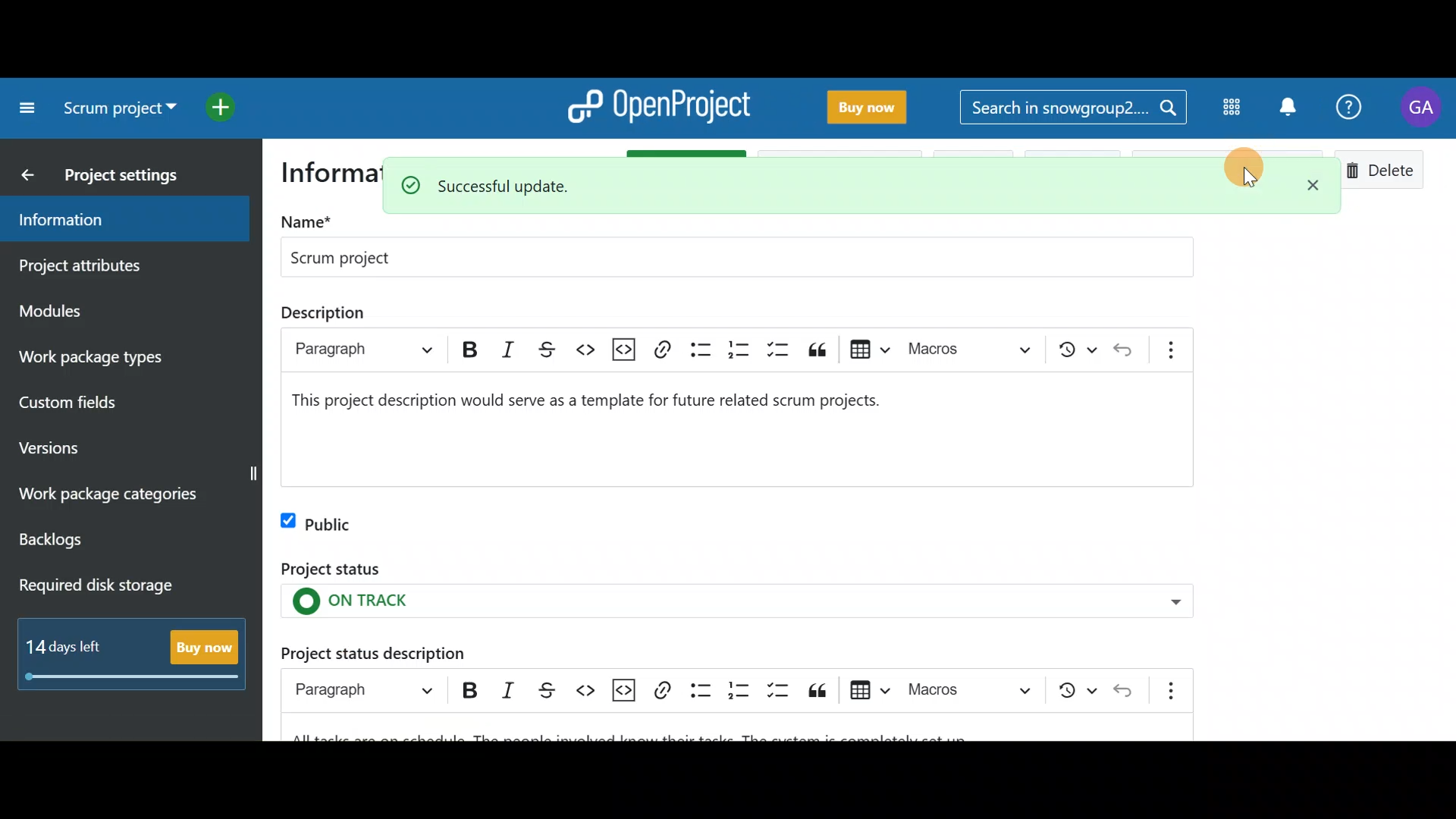 This screenshot has height=819, width=1456. What do you see at coordinates (1124, 689) in the screenshot?
I see `Undo` at bounding box center [1124, 689].